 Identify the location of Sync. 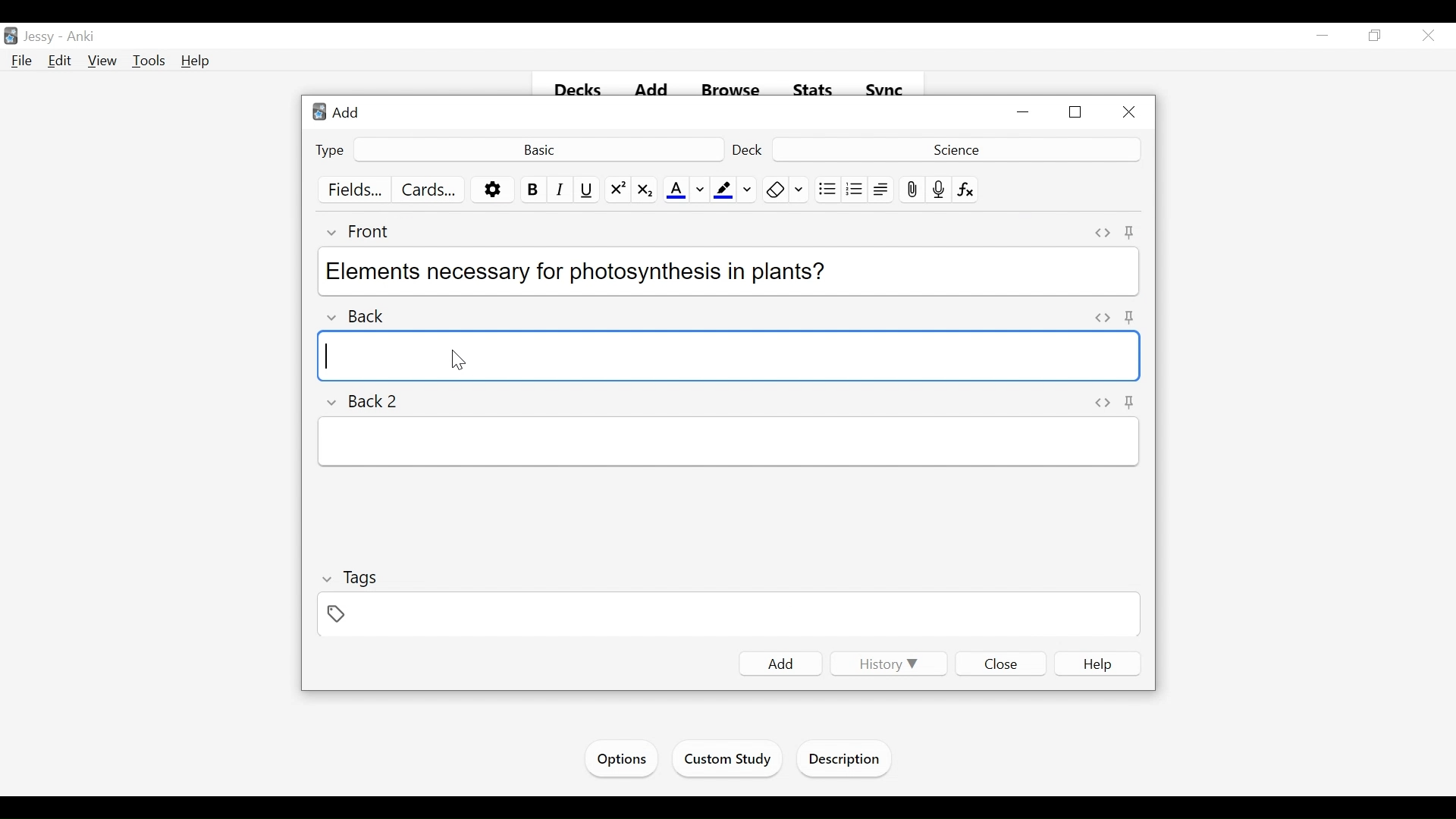
(885, 90).